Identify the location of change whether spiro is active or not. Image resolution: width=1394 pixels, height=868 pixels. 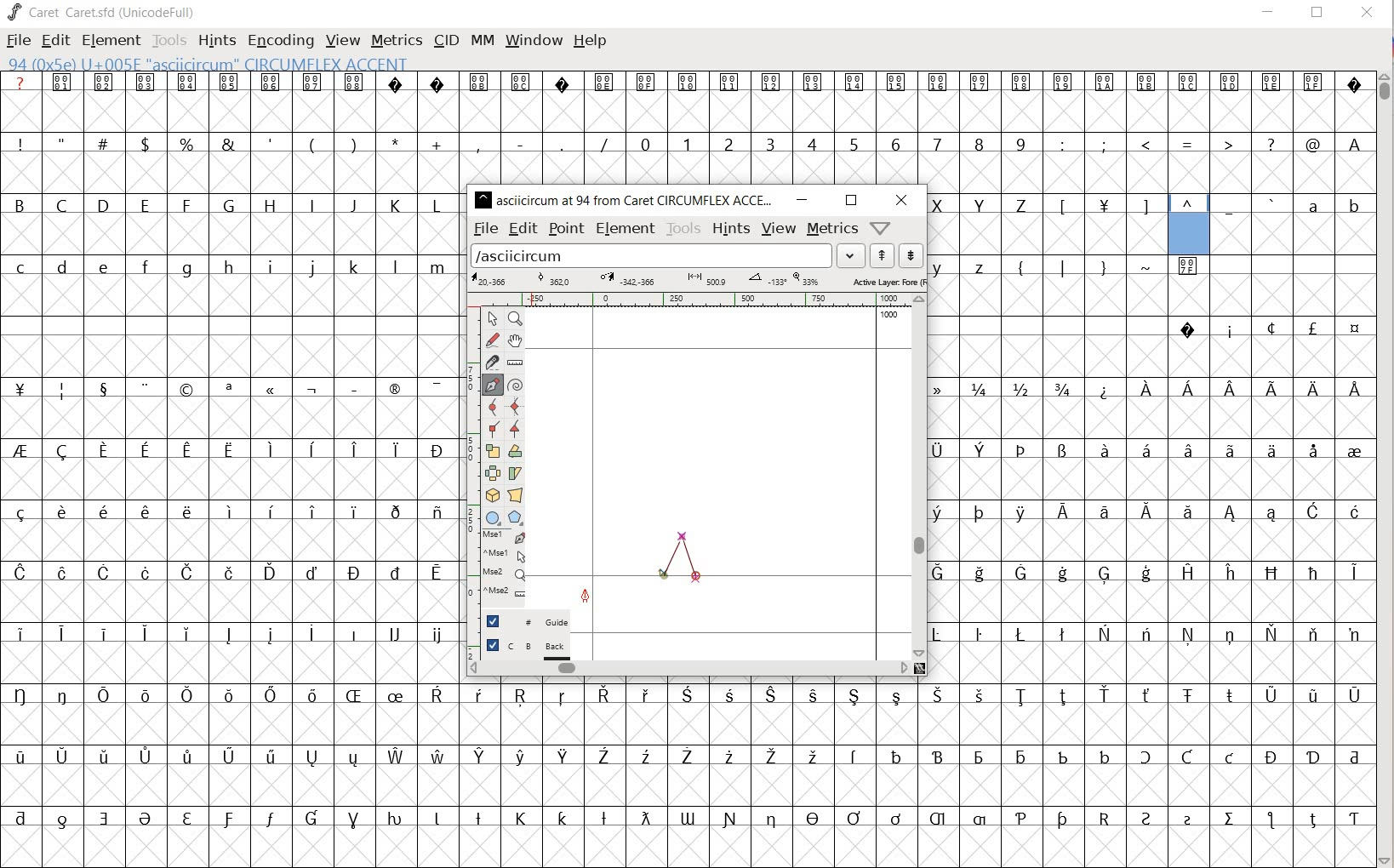
(517, 385).